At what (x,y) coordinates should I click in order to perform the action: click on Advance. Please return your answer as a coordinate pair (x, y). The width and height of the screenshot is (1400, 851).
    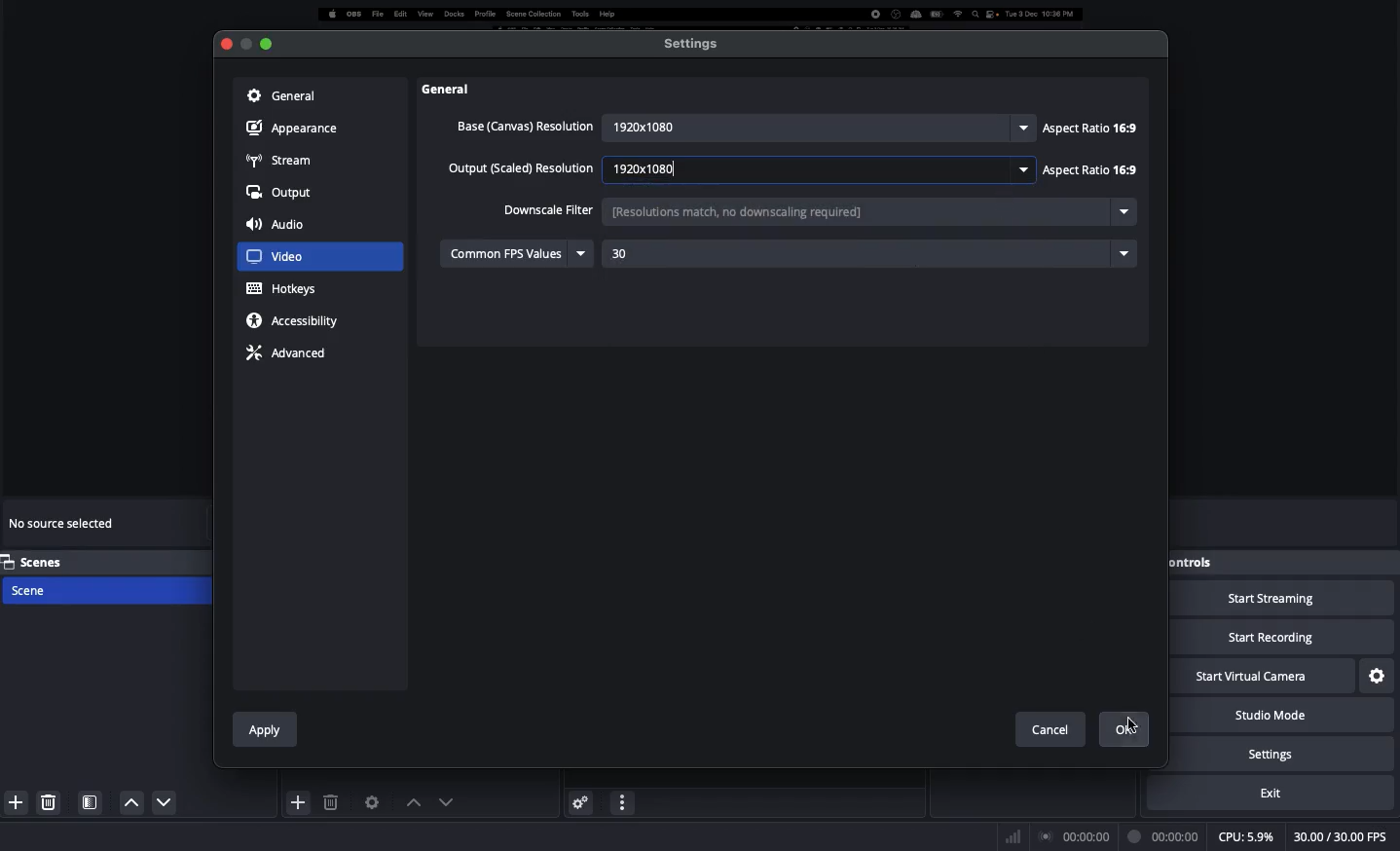
    Looking at the image, I should click on (289, 351).